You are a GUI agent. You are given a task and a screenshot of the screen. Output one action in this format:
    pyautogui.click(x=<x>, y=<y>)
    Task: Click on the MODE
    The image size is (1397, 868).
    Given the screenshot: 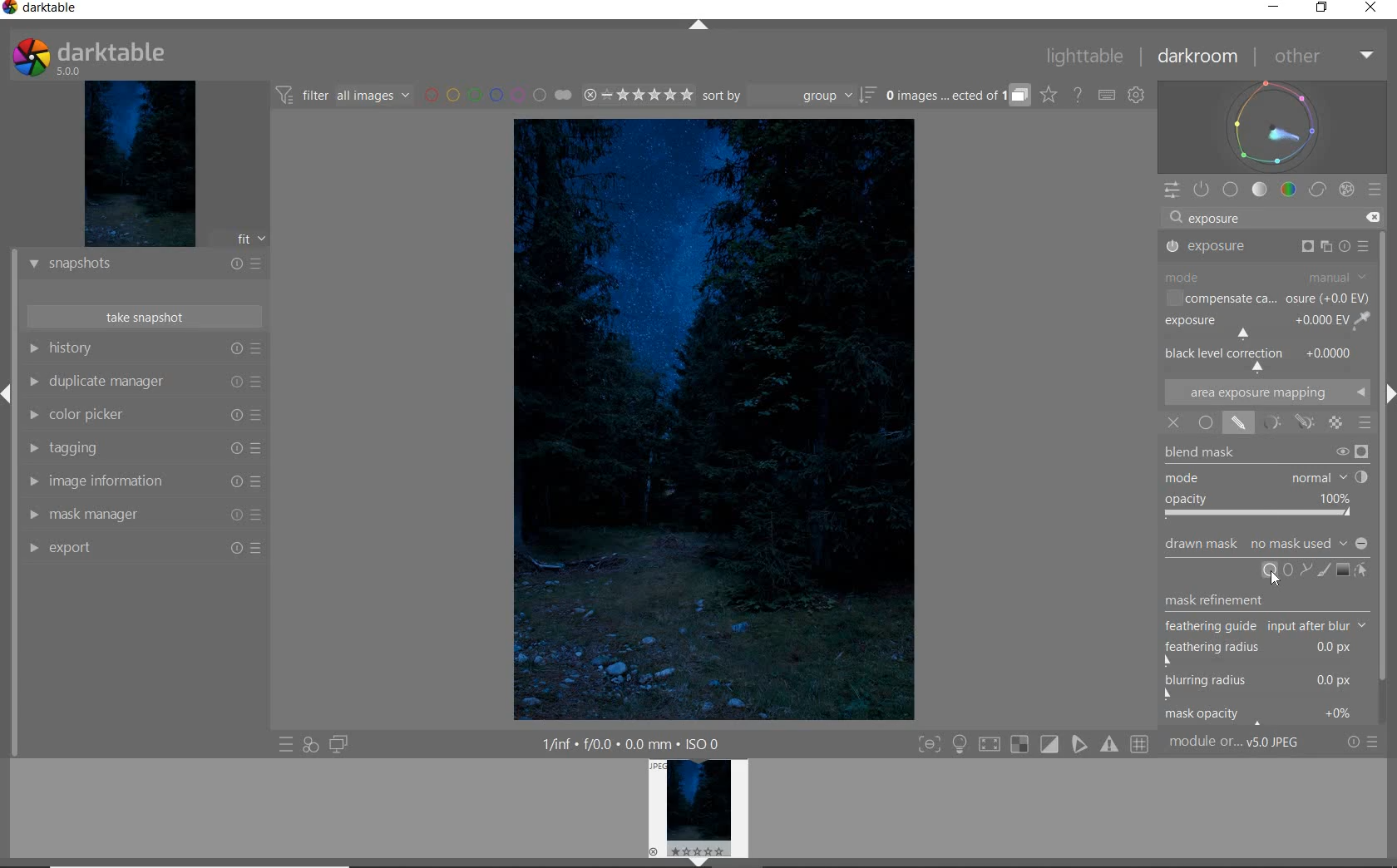 What is the action you would take?
    pyautogui.click(x=1266, y=279)
    